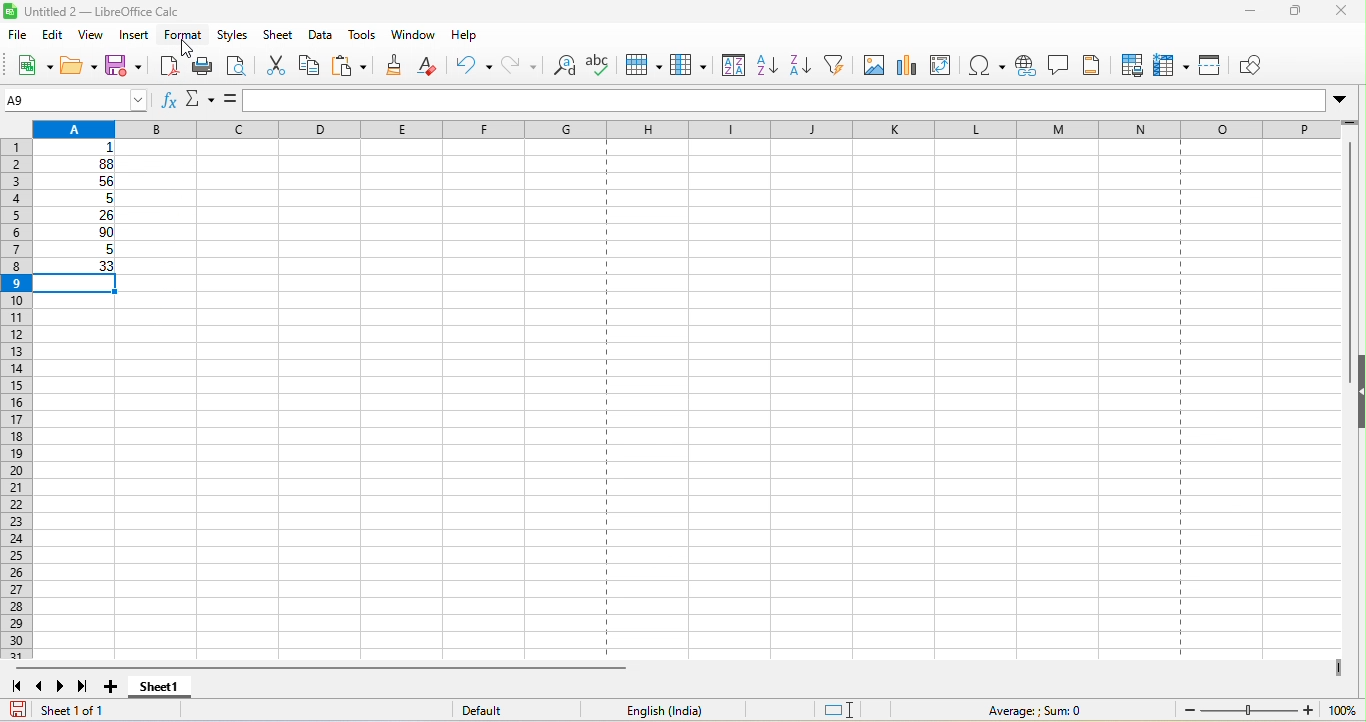 The width and height of the screenshot is (1366, 722). I want to click on 56, so click(82, 182).